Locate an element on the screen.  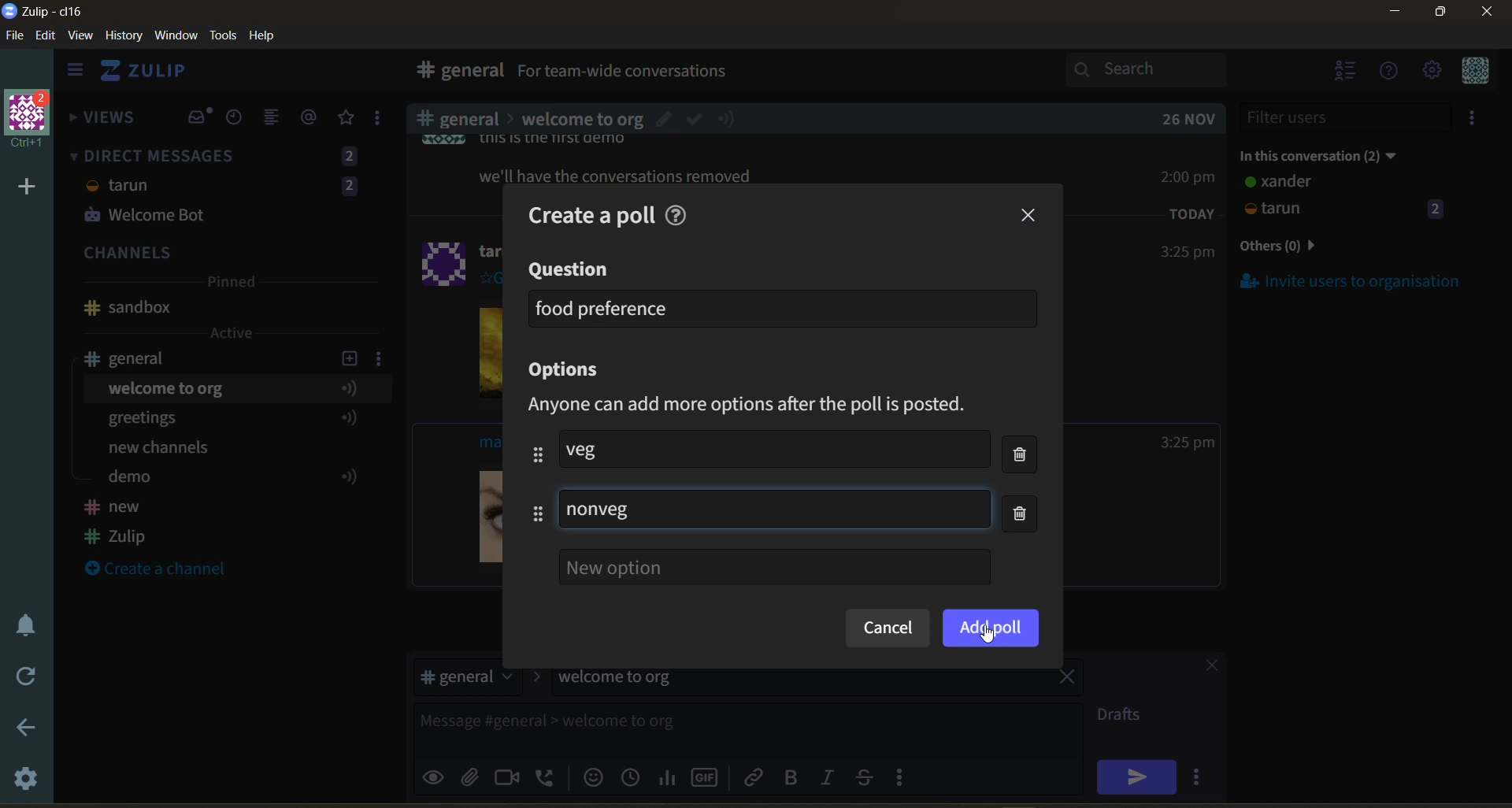
upload files is located at coordinates (475, 775).